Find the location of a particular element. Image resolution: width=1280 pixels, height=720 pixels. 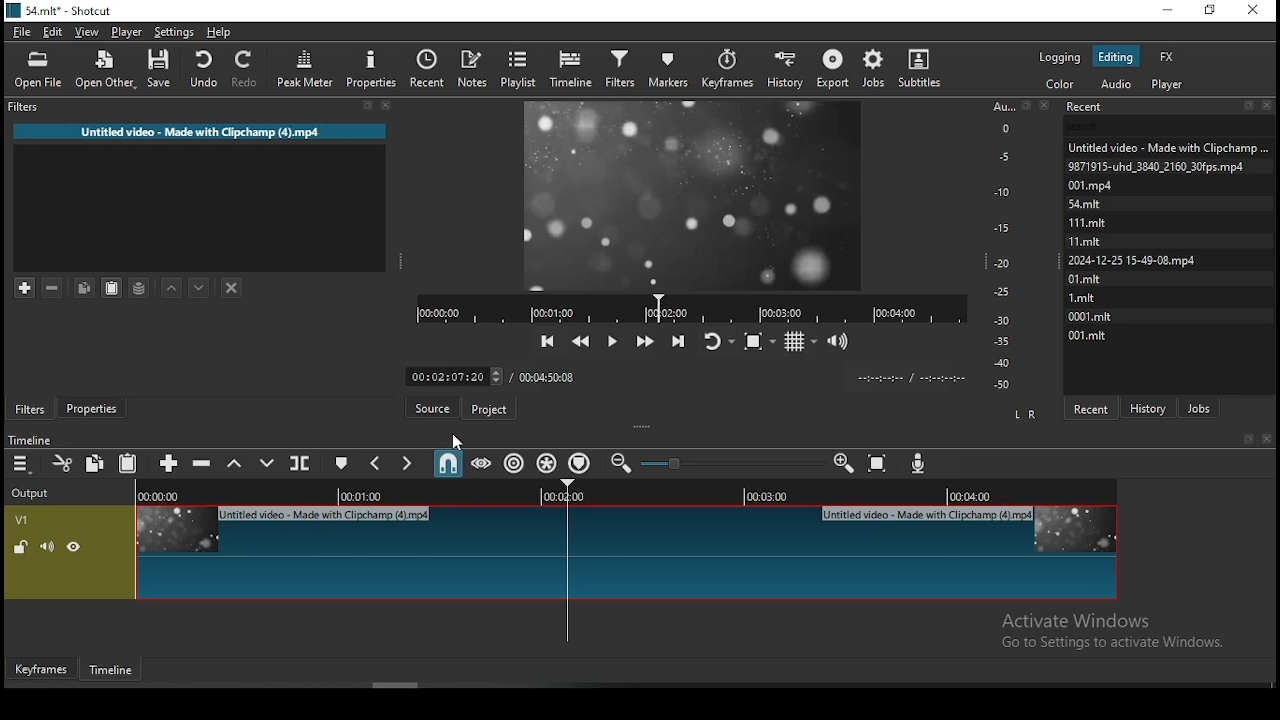

(Un)lock is located at coordinates (21, 546).